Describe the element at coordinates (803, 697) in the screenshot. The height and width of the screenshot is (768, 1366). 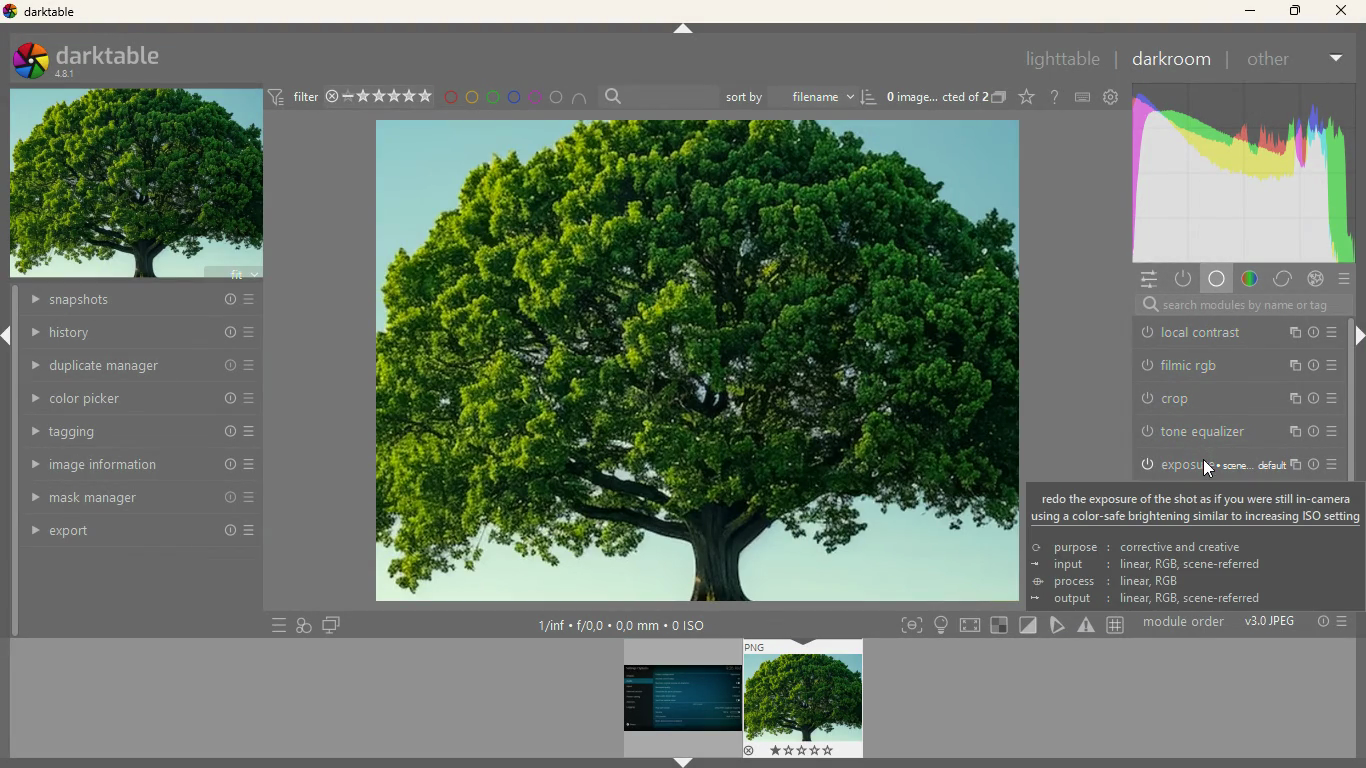
I see `image` at that location.